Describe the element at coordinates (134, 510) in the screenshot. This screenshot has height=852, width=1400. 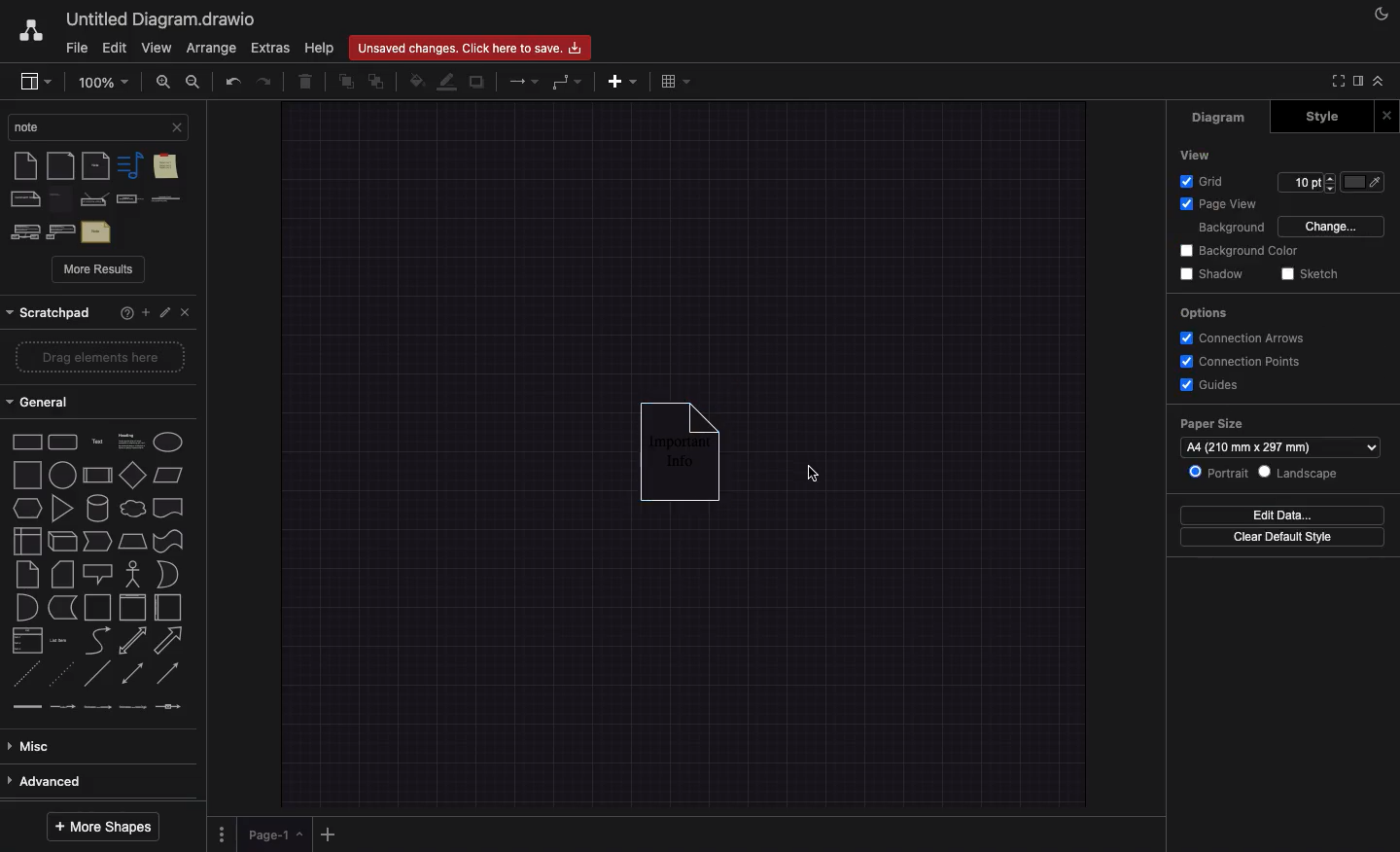
I see `cloud` at that location.